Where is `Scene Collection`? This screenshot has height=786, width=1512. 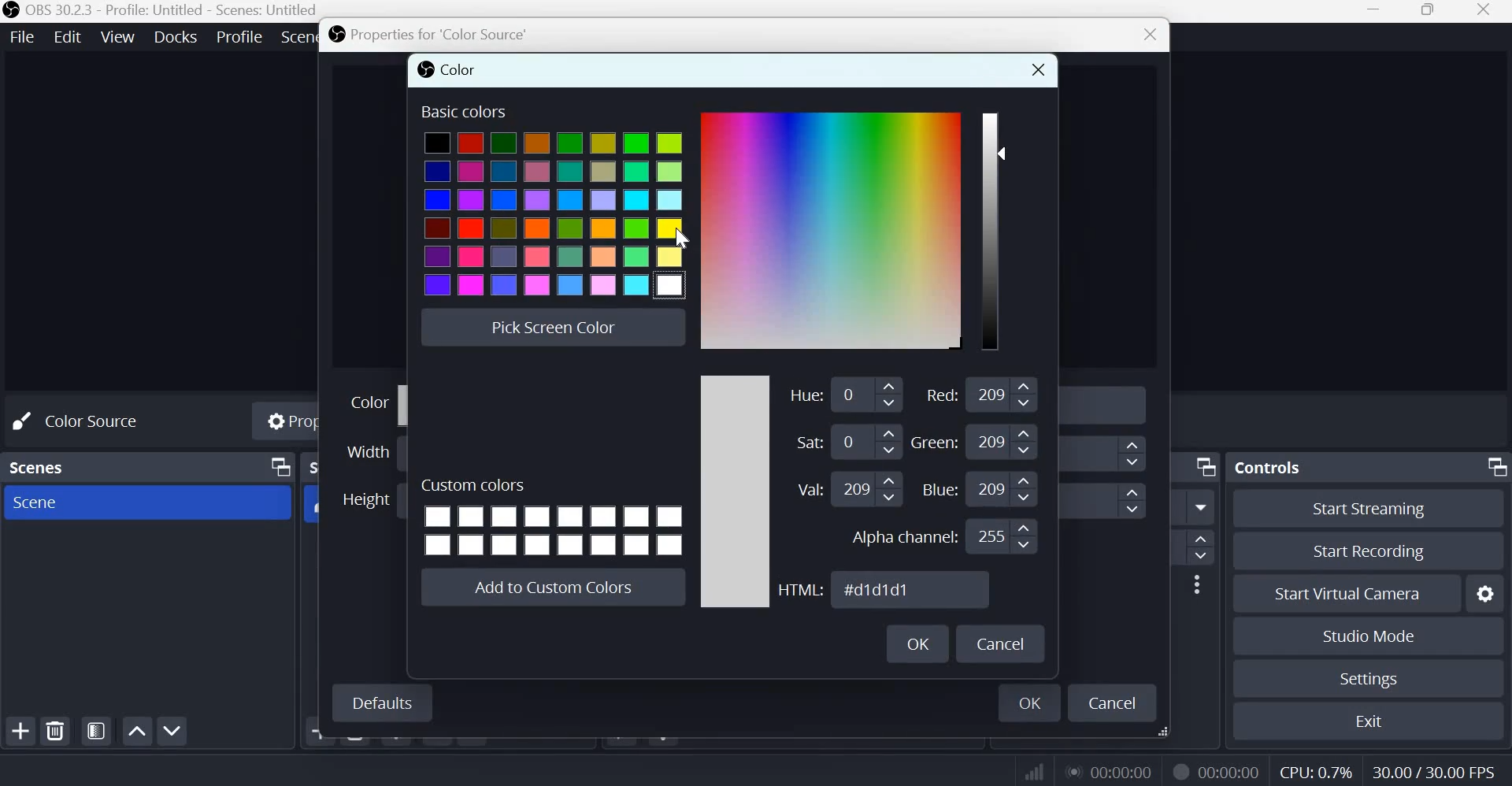 Scene Collection is located at coordinates (297, 37).